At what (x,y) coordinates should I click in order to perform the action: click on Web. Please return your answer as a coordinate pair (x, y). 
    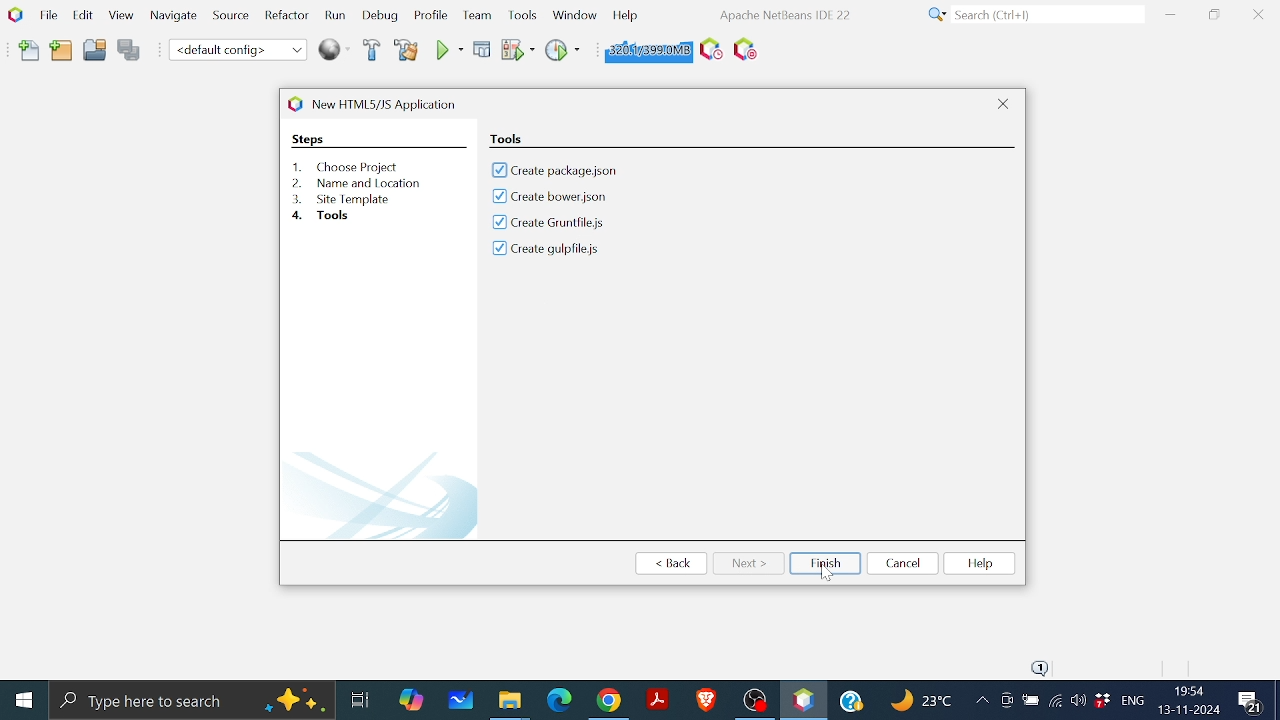
    Looking at the image, I should click on (336, 48).